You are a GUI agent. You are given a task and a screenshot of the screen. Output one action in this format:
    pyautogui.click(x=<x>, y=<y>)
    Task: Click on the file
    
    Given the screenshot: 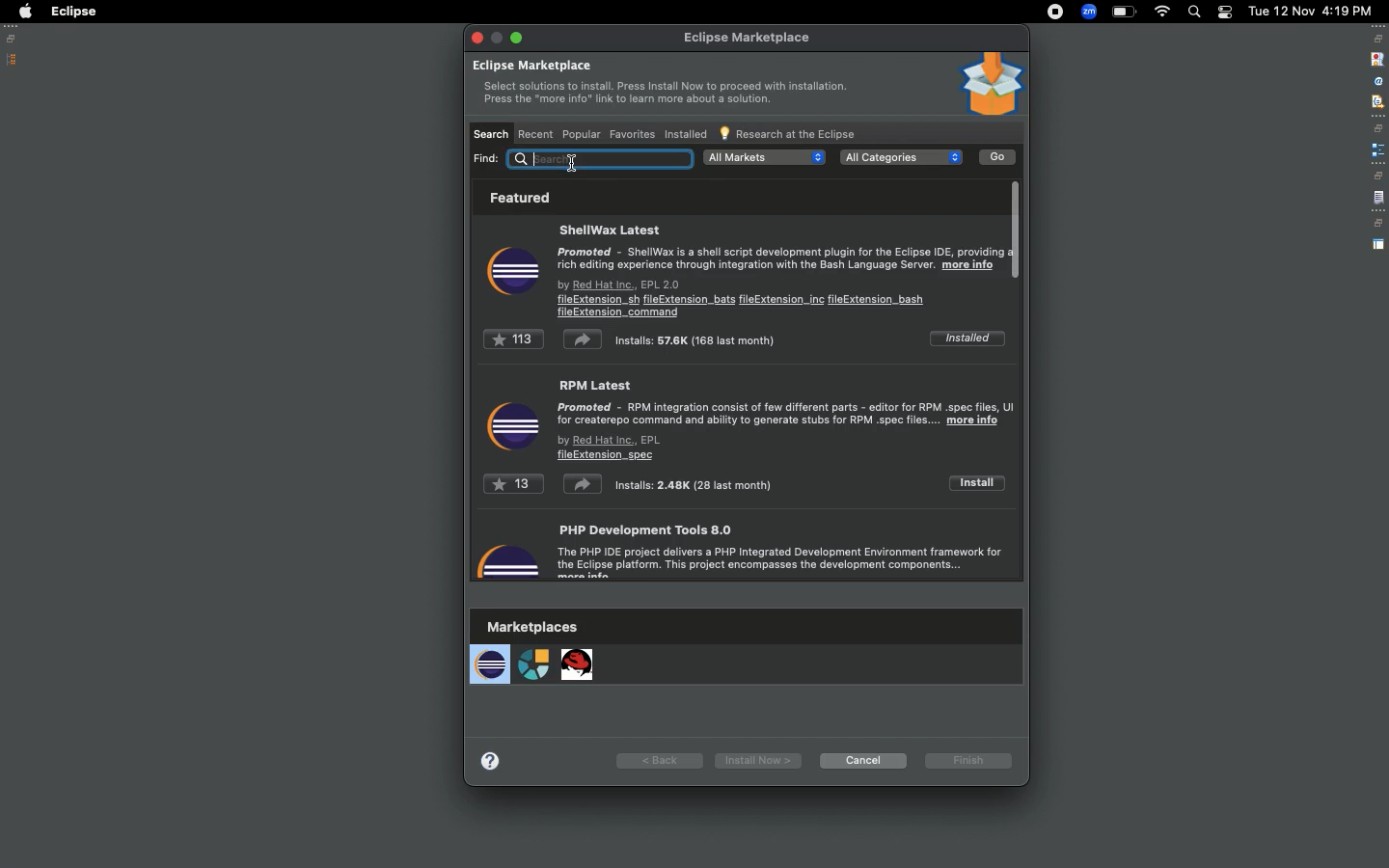 What is the action you would take?
    pyautogui.click(x=1378, y=199)
    